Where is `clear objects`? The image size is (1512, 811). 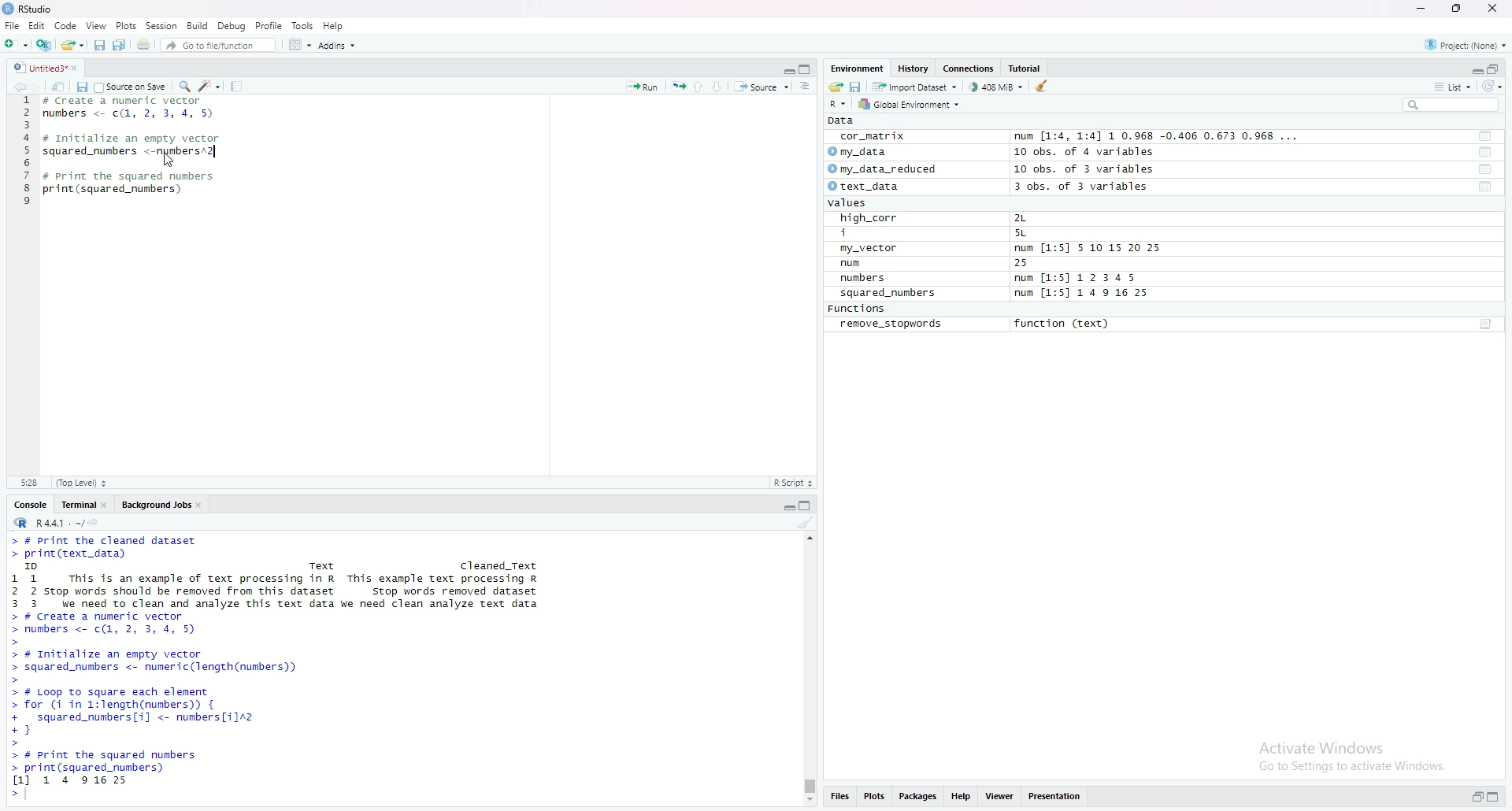
clear objects is located at coordinates (1043, 86).